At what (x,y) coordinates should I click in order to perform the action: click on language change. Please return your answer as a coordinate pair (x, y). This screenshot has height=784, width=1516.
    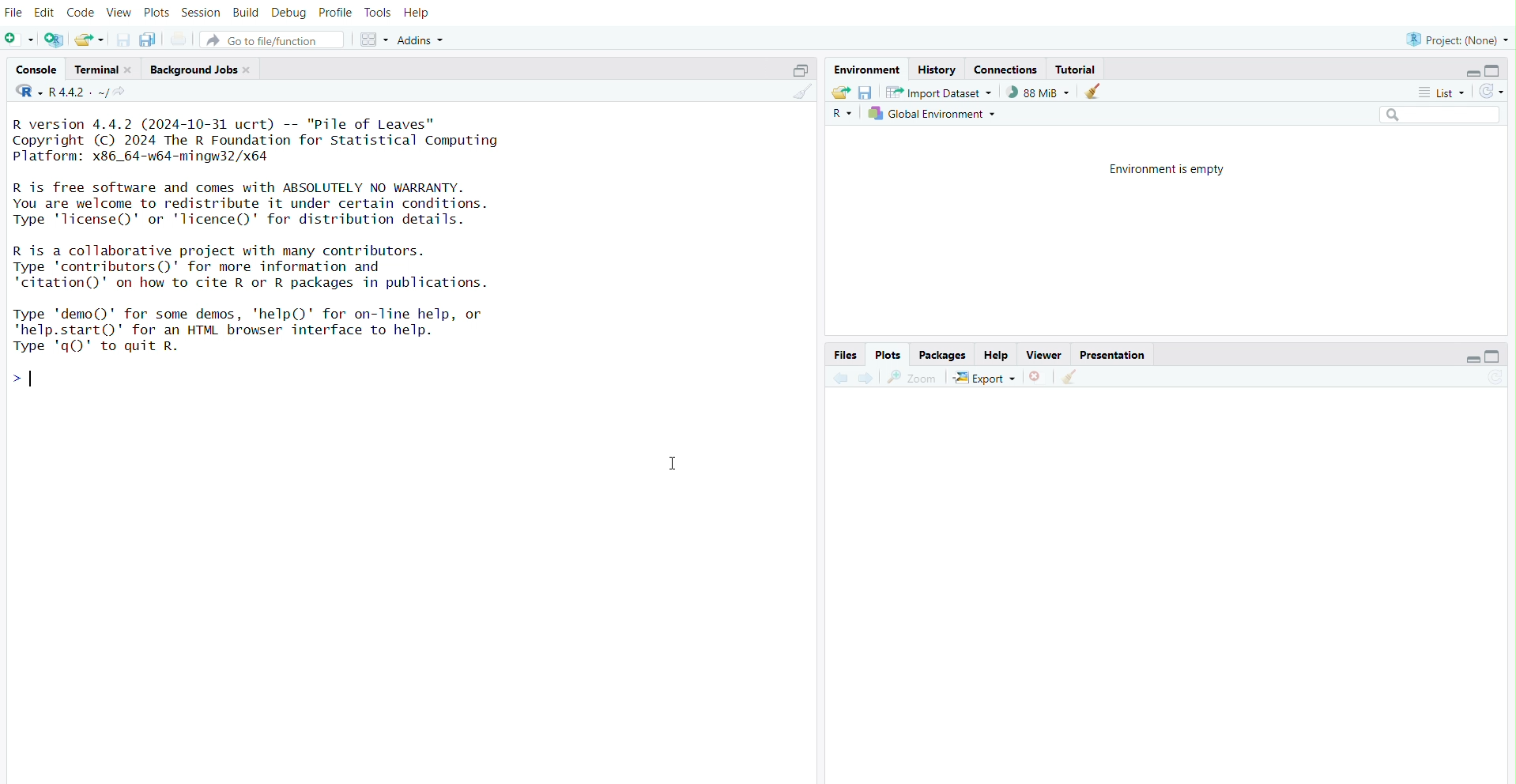
    Looking at the image, I should click on (23, 91).